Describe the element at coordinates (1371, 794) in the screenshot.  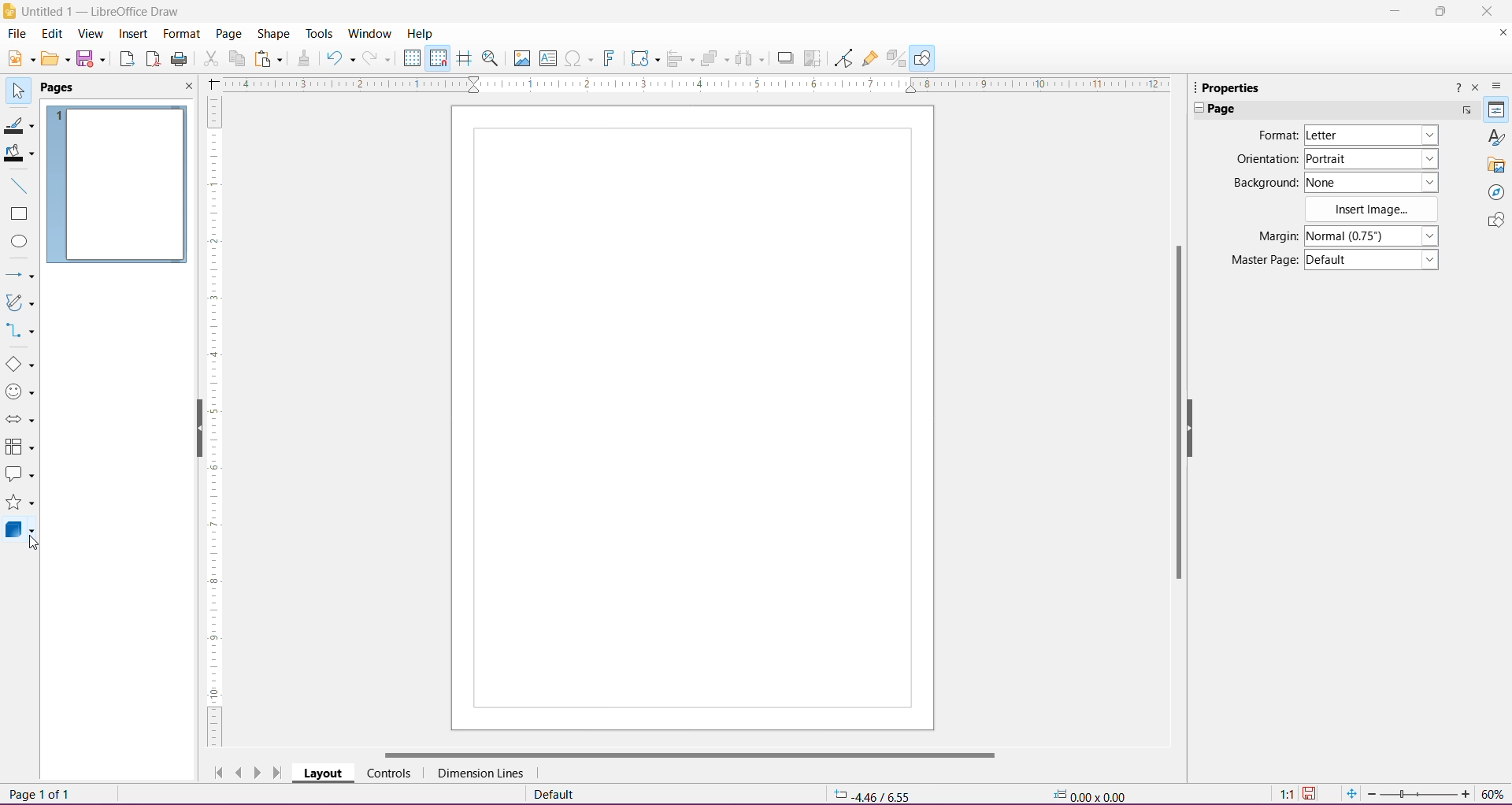
I see `Zoom Out` at that location.